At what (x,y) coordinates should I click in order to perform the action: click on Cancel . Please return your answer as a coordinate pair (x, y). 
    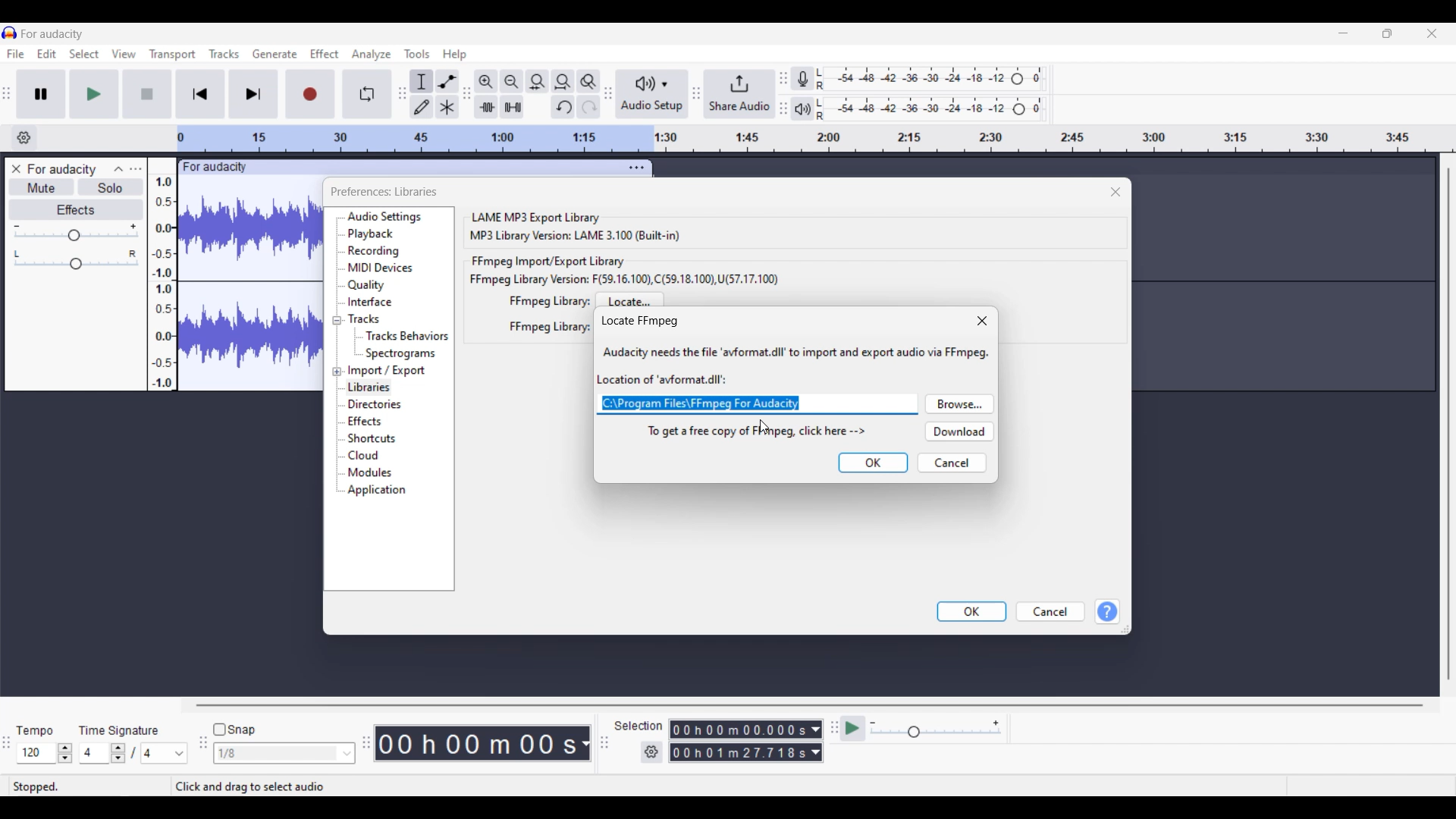
    Looking at the image, I should click on (952, 463).